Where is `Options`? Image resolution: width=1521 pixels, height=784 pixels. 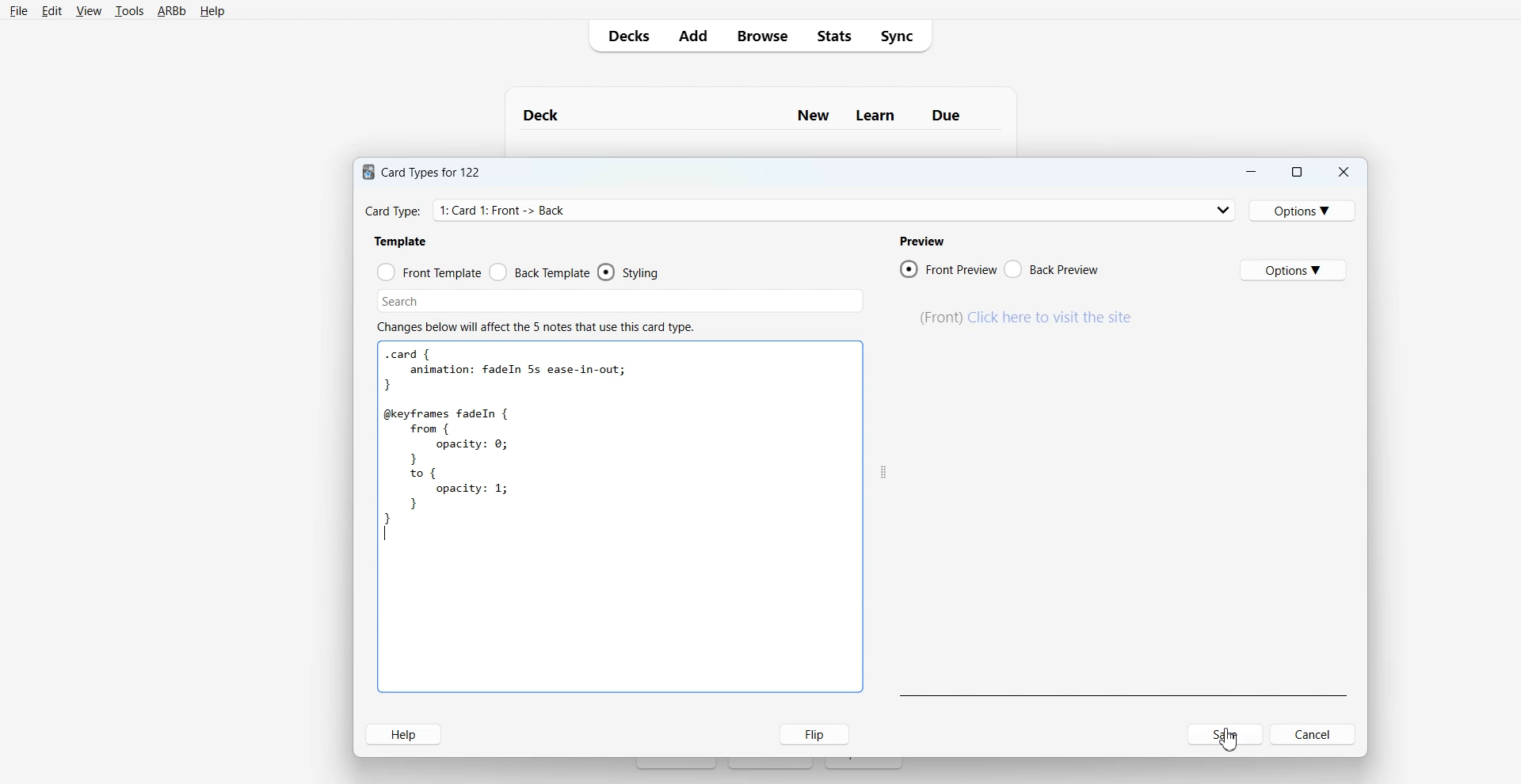
Options is located at coordinates (1302, 211).